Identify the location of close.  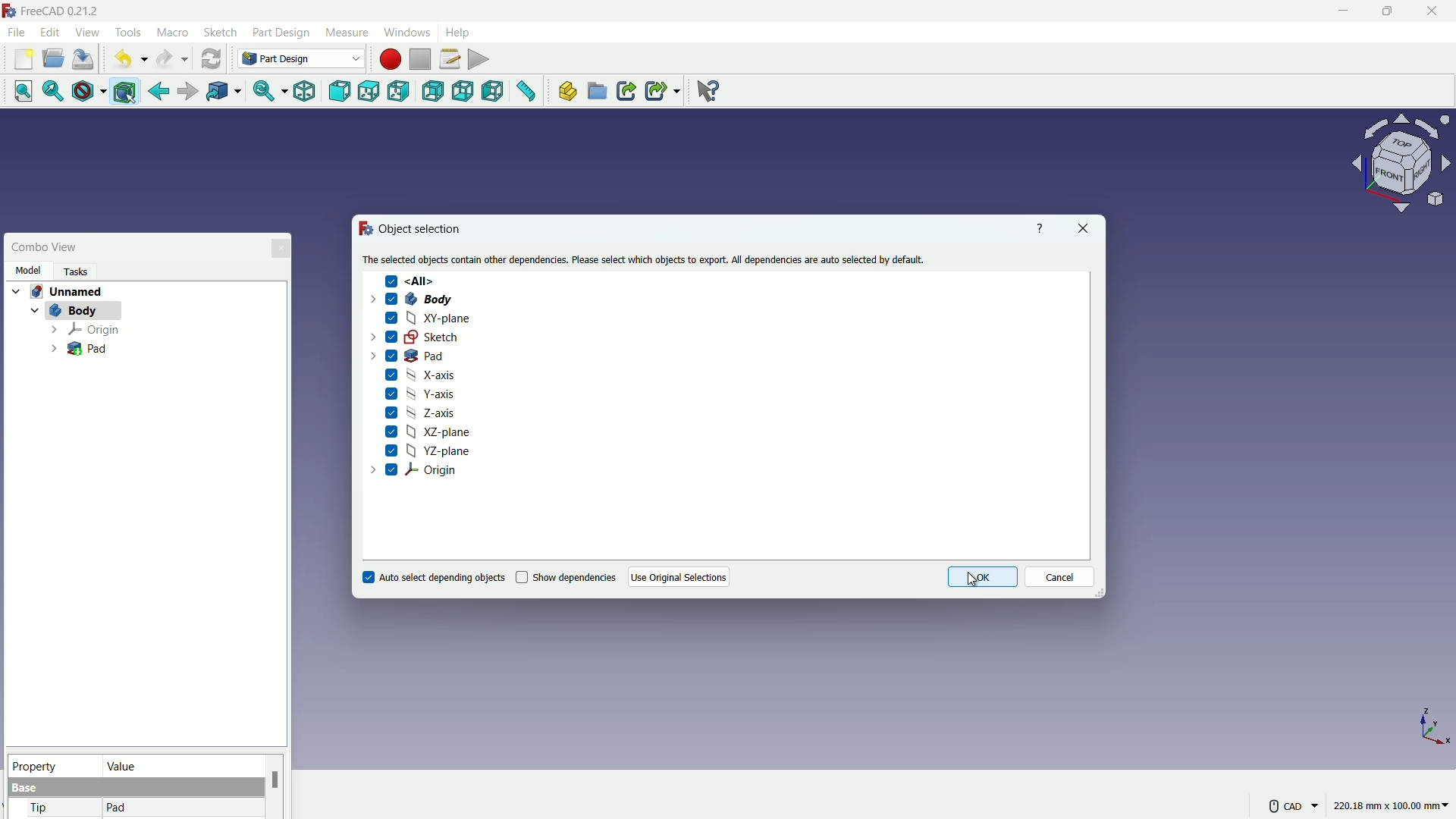
(1072, 229).